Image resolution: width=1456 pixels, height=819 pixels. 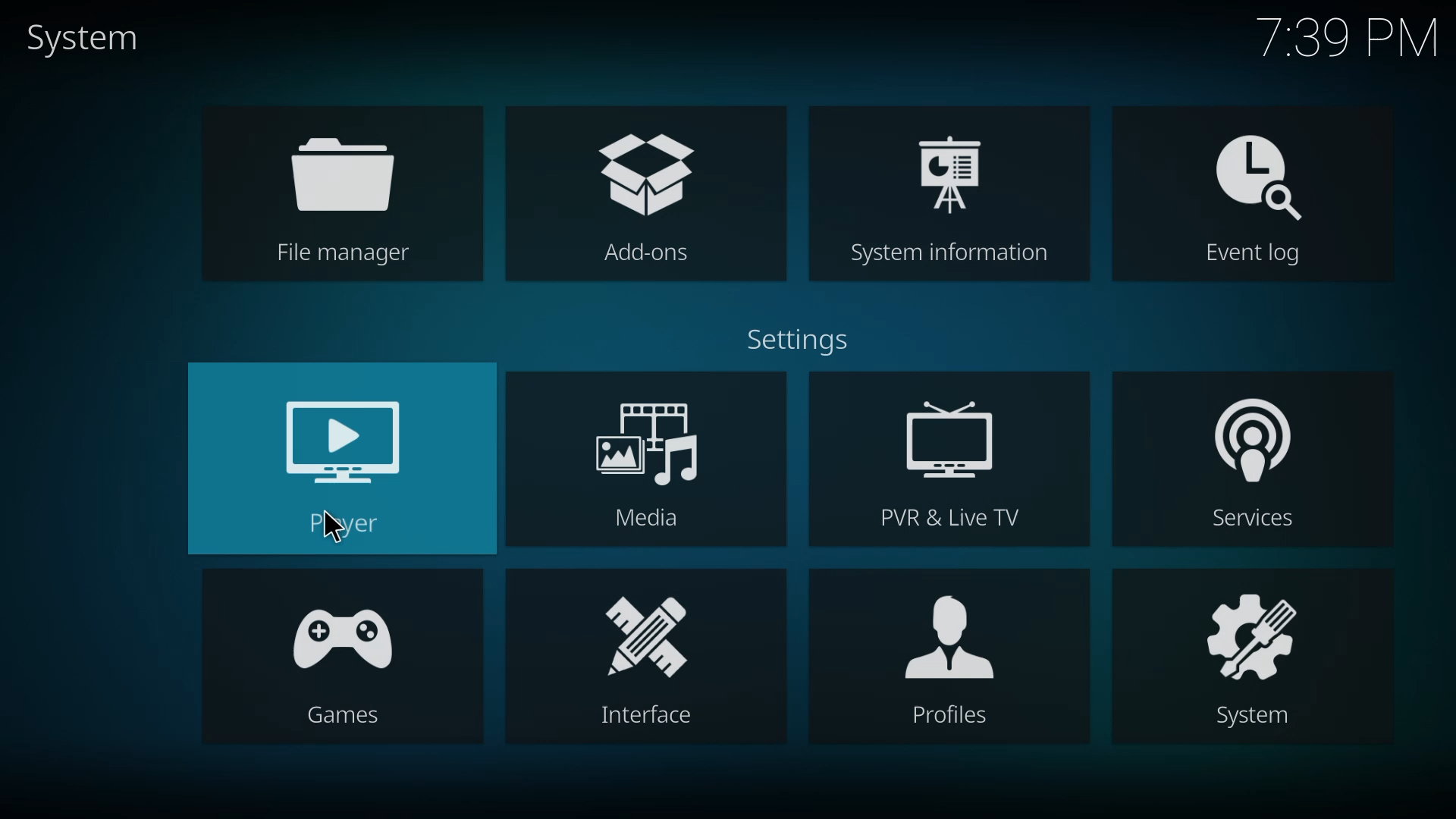 What do you see at coordinates (1352, 37) in the screenshot?
I see `time` at bounding box center [1352, 37].